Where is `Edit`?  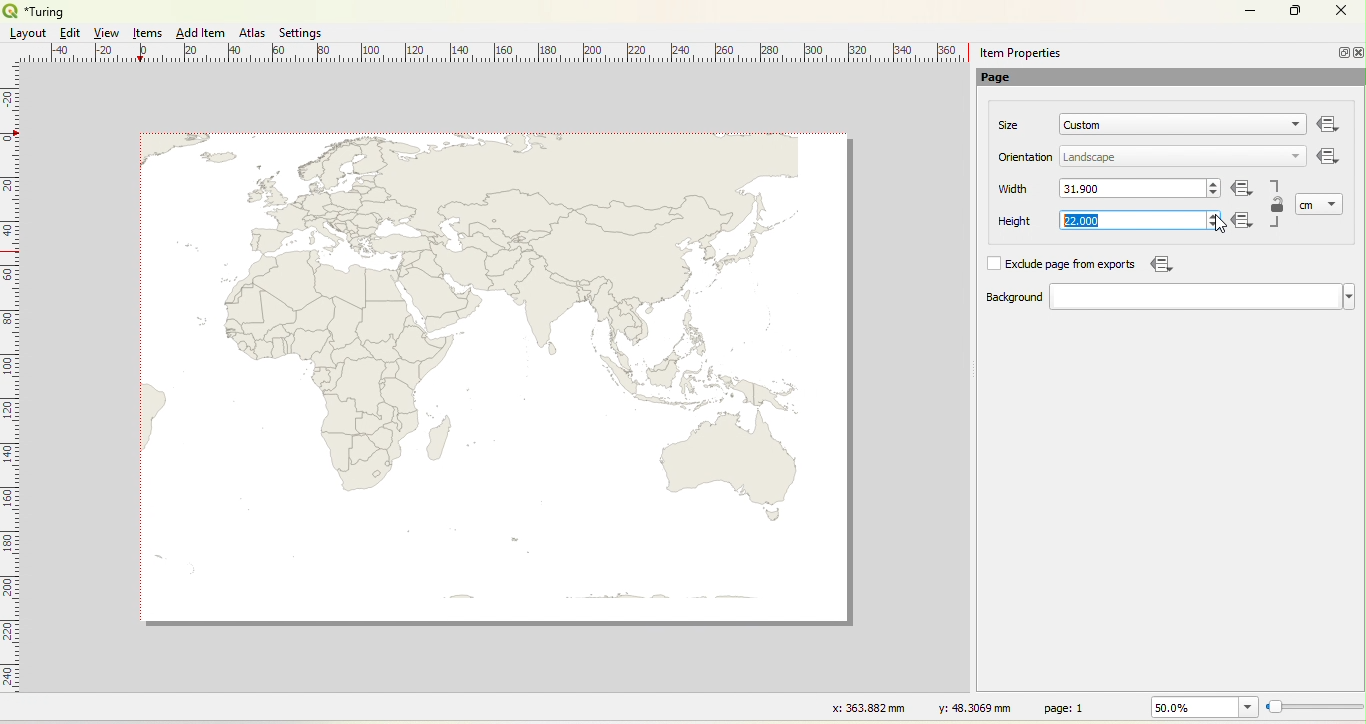 Edit is located at coordinates (68, 33).